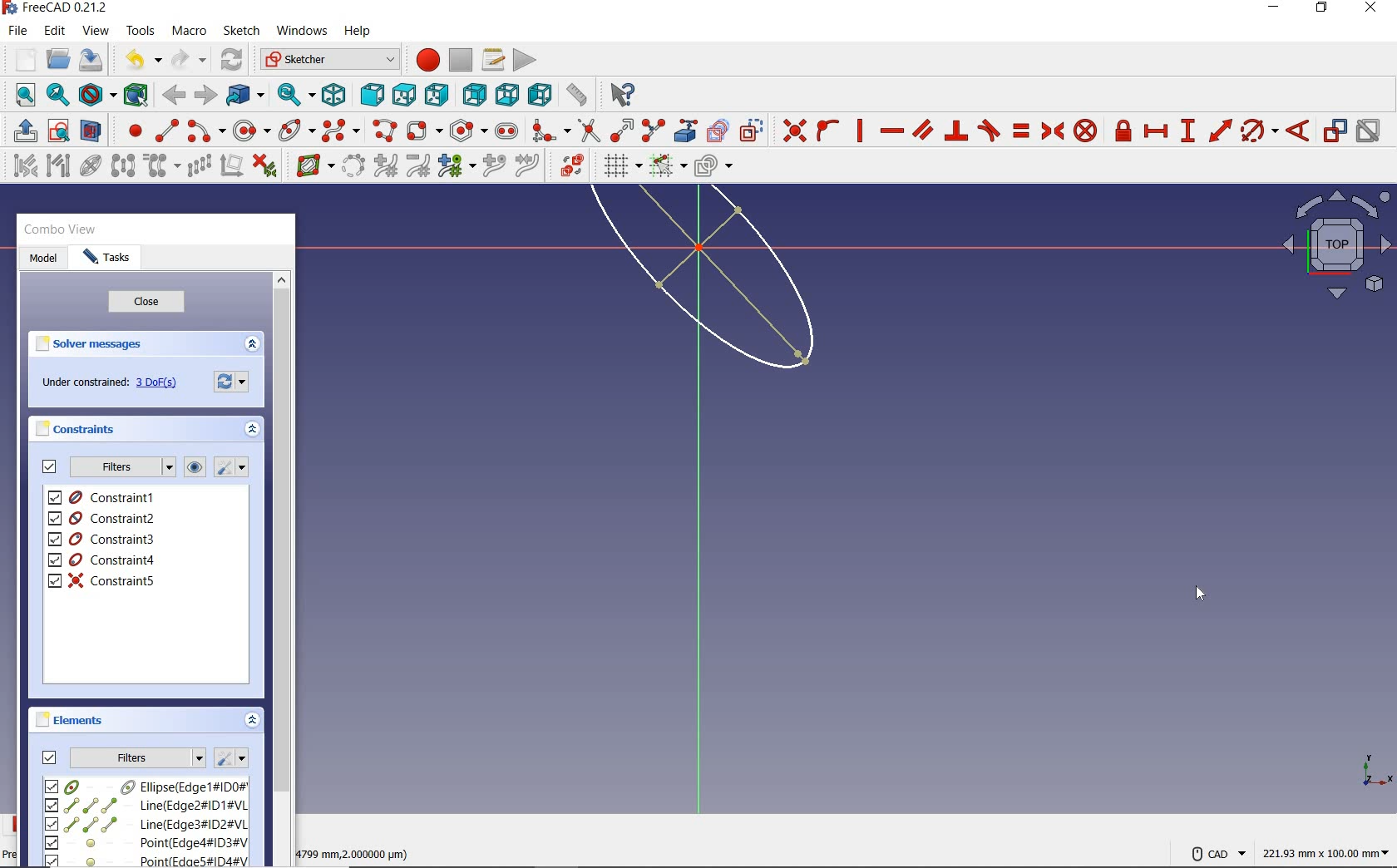 The height and width of the screenshot is (868, 1397). I want to click on sketch panned up, so click(674, 290).